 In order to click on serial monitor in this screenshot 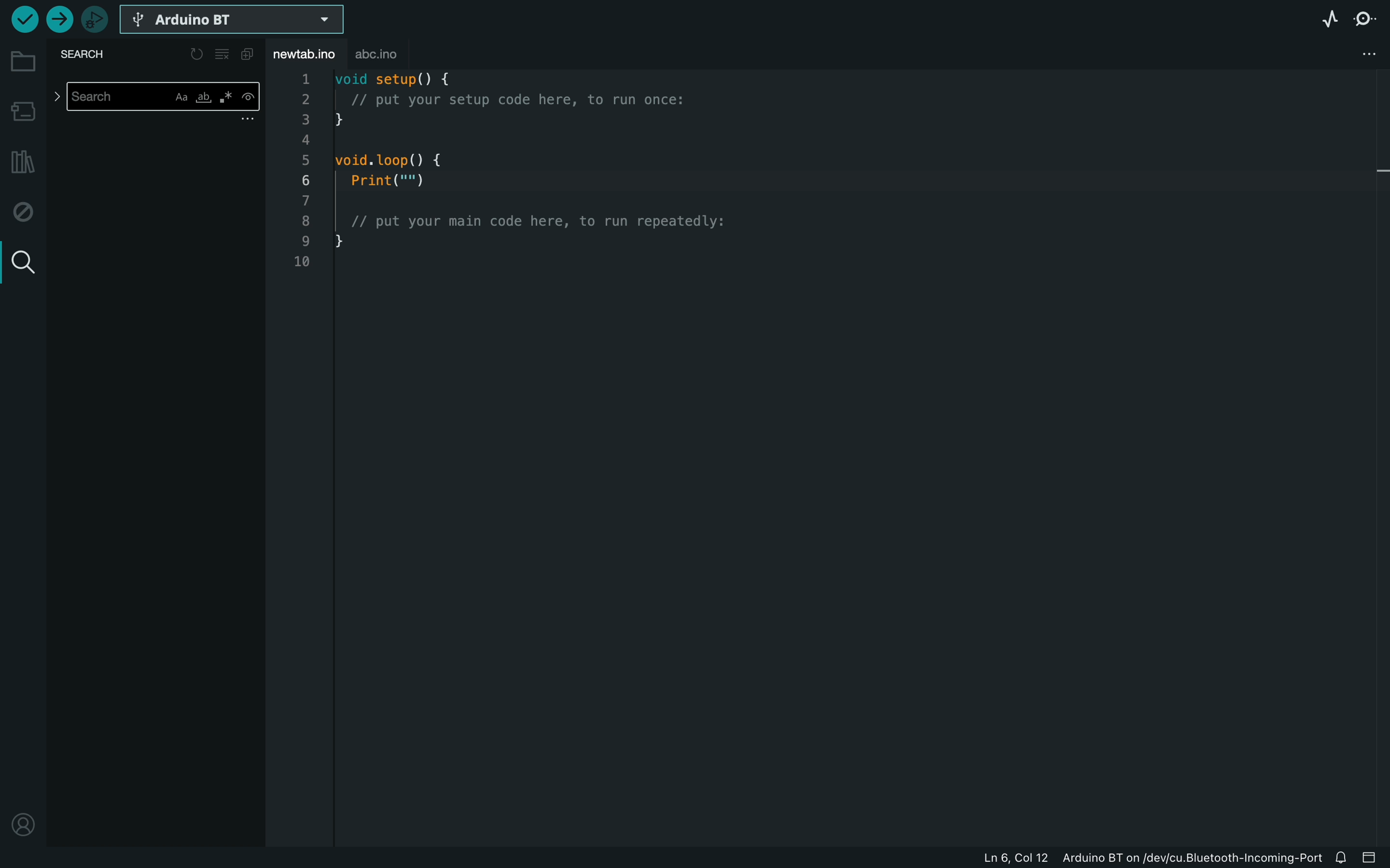, I will do `click(1369, 16)`.